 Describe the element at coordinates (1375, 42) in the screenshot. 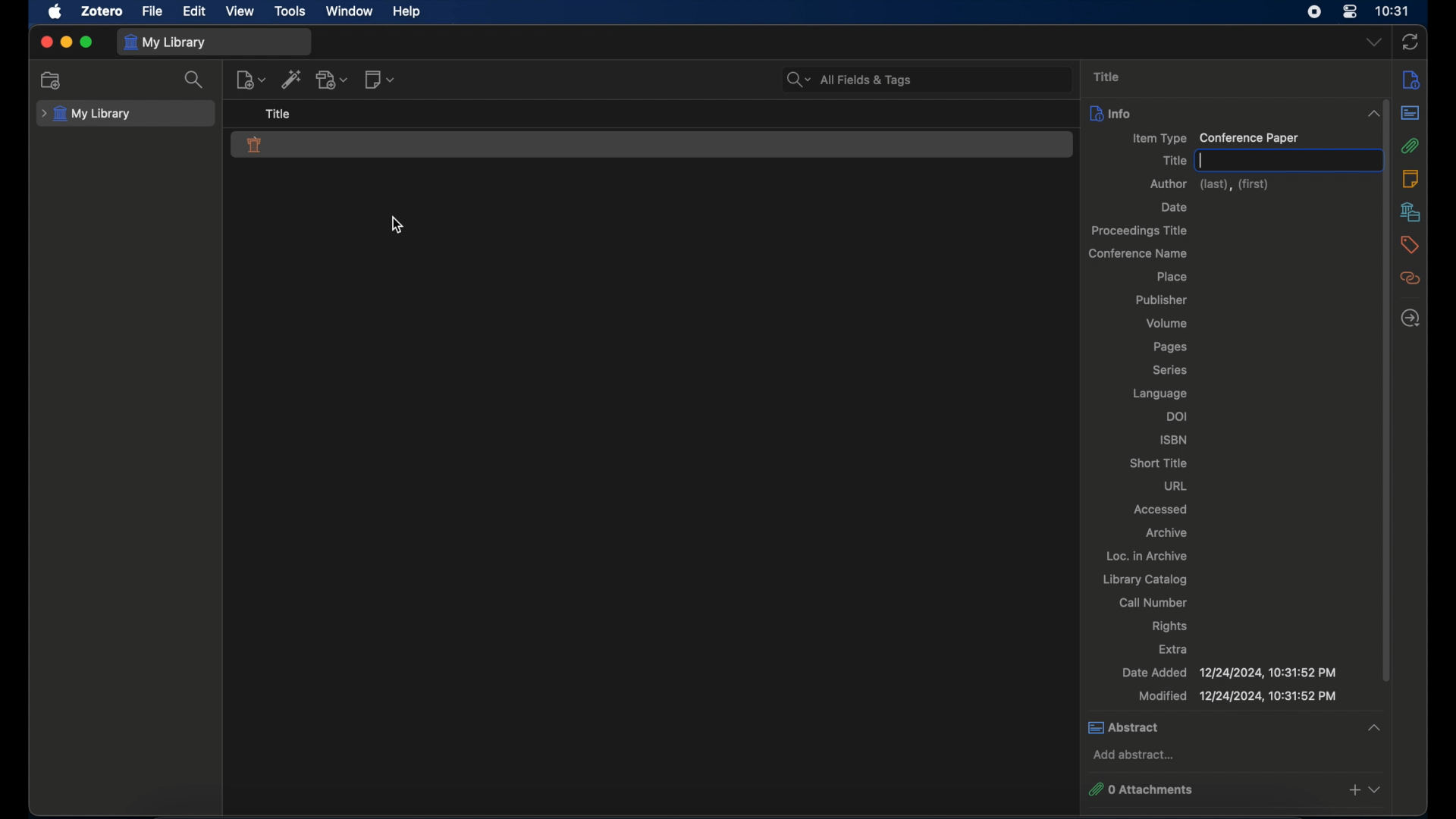

I see `dropdown` at that location.